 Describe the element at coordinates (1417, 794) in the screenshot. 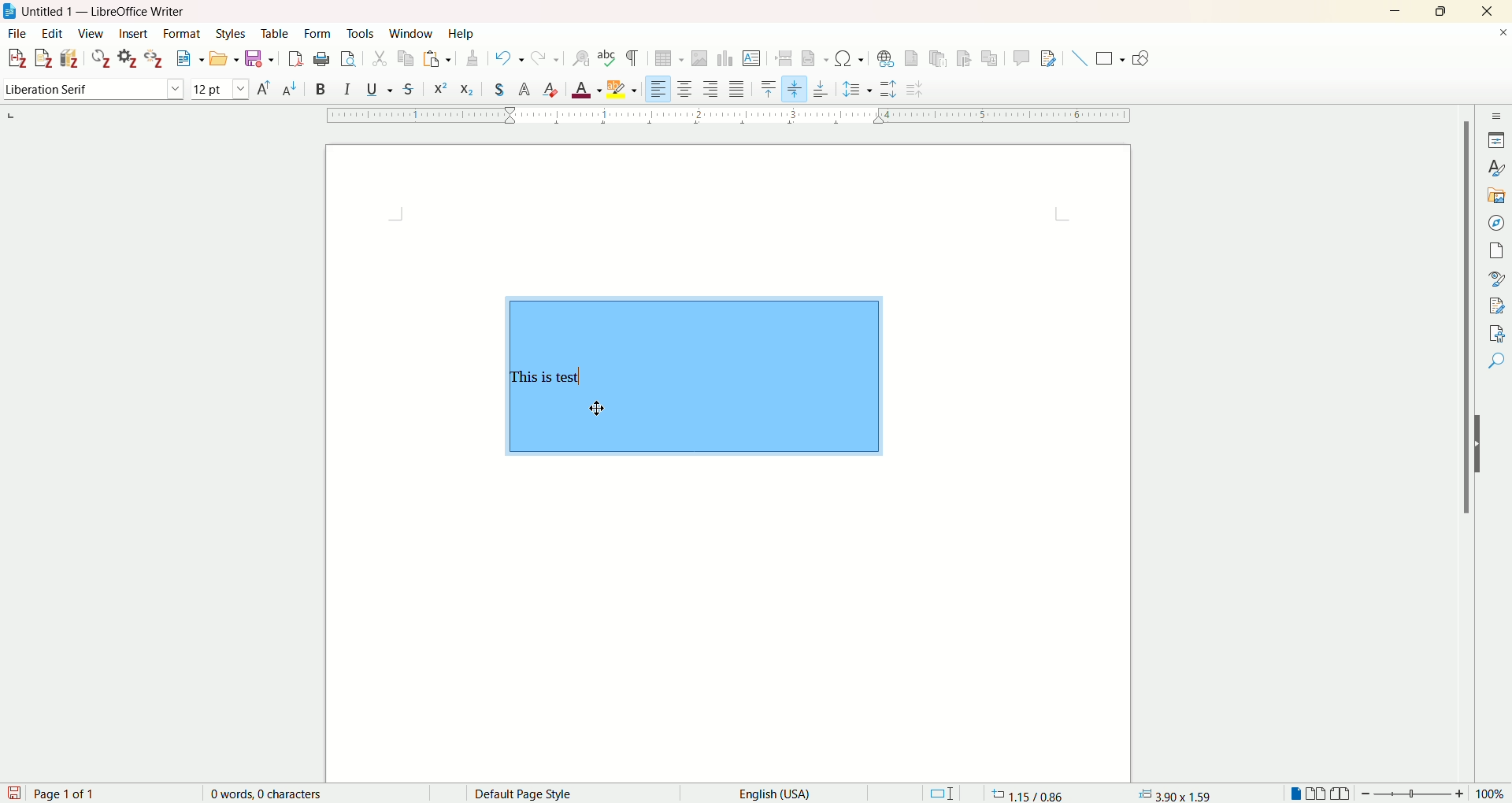

I see `zoom bar` at that location.